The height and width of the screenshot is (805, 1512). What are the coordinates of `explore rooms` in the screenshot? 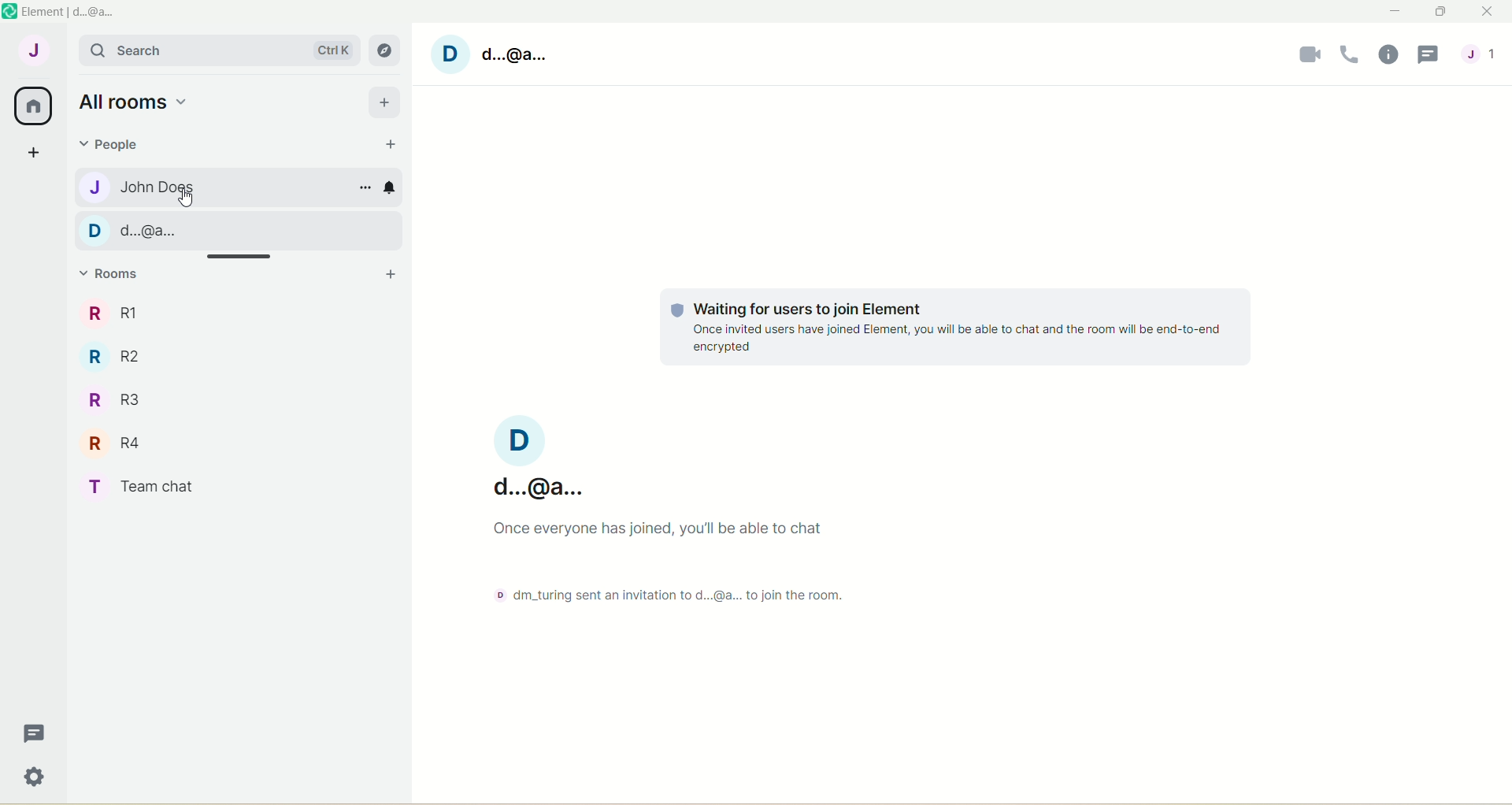 It's located at (386, 50).